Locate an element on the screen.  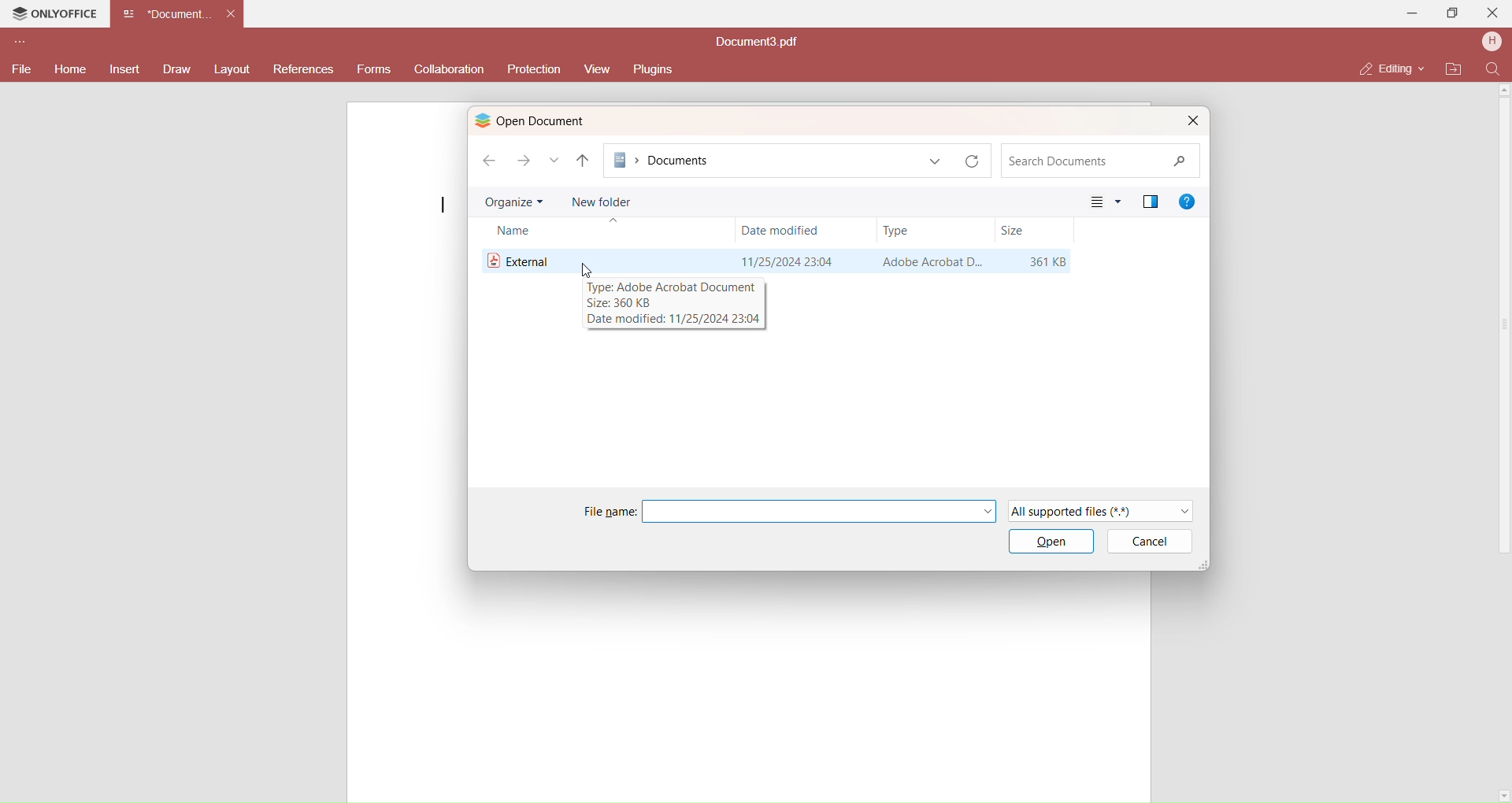
forward is located at coordinates (524, 163).